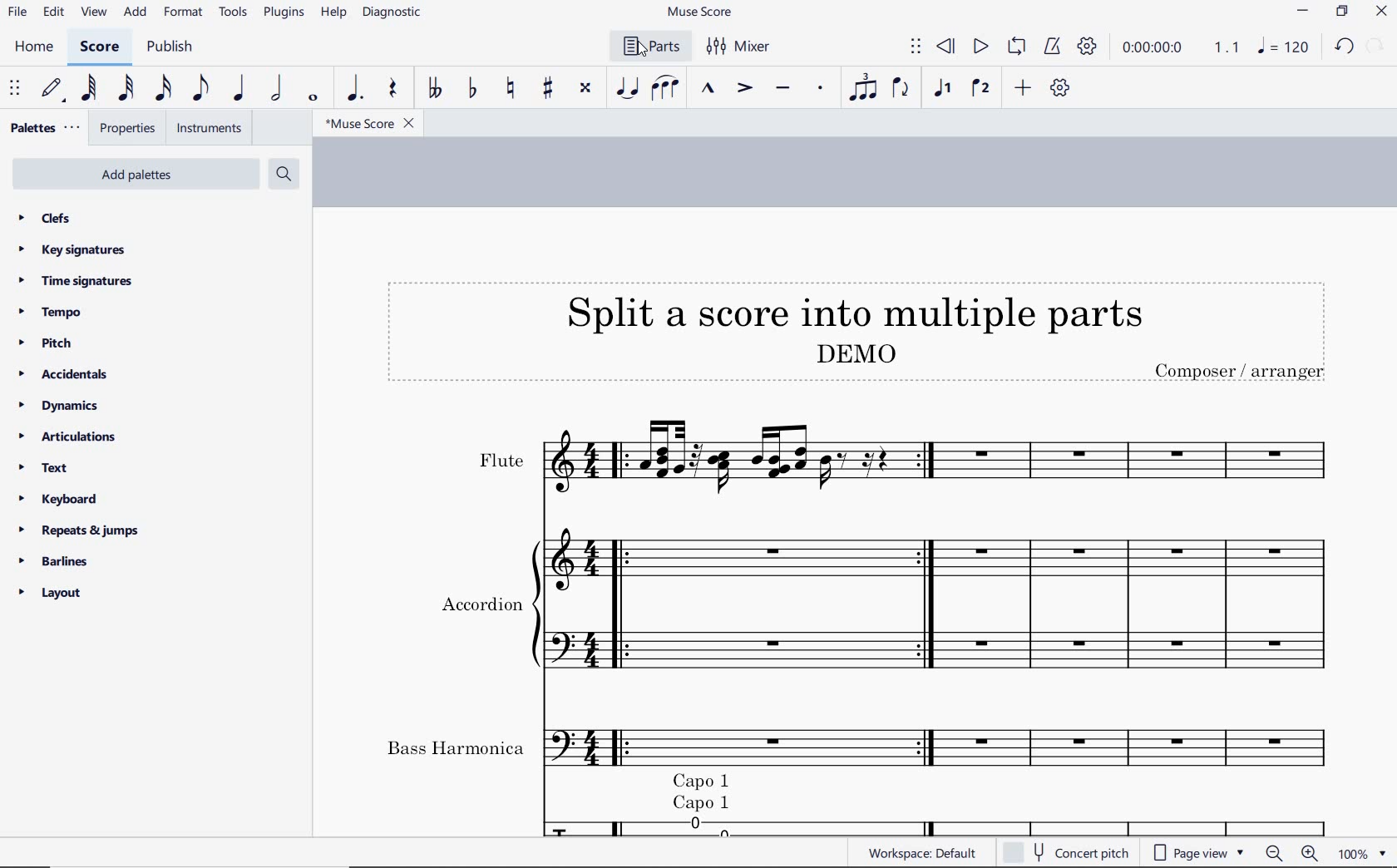 The height and width of the screenshot is (868, 1397). What do you see at coordinates (55, 91) in the screenshot?
I see `default (step time)` at bounding box center [55, 91].